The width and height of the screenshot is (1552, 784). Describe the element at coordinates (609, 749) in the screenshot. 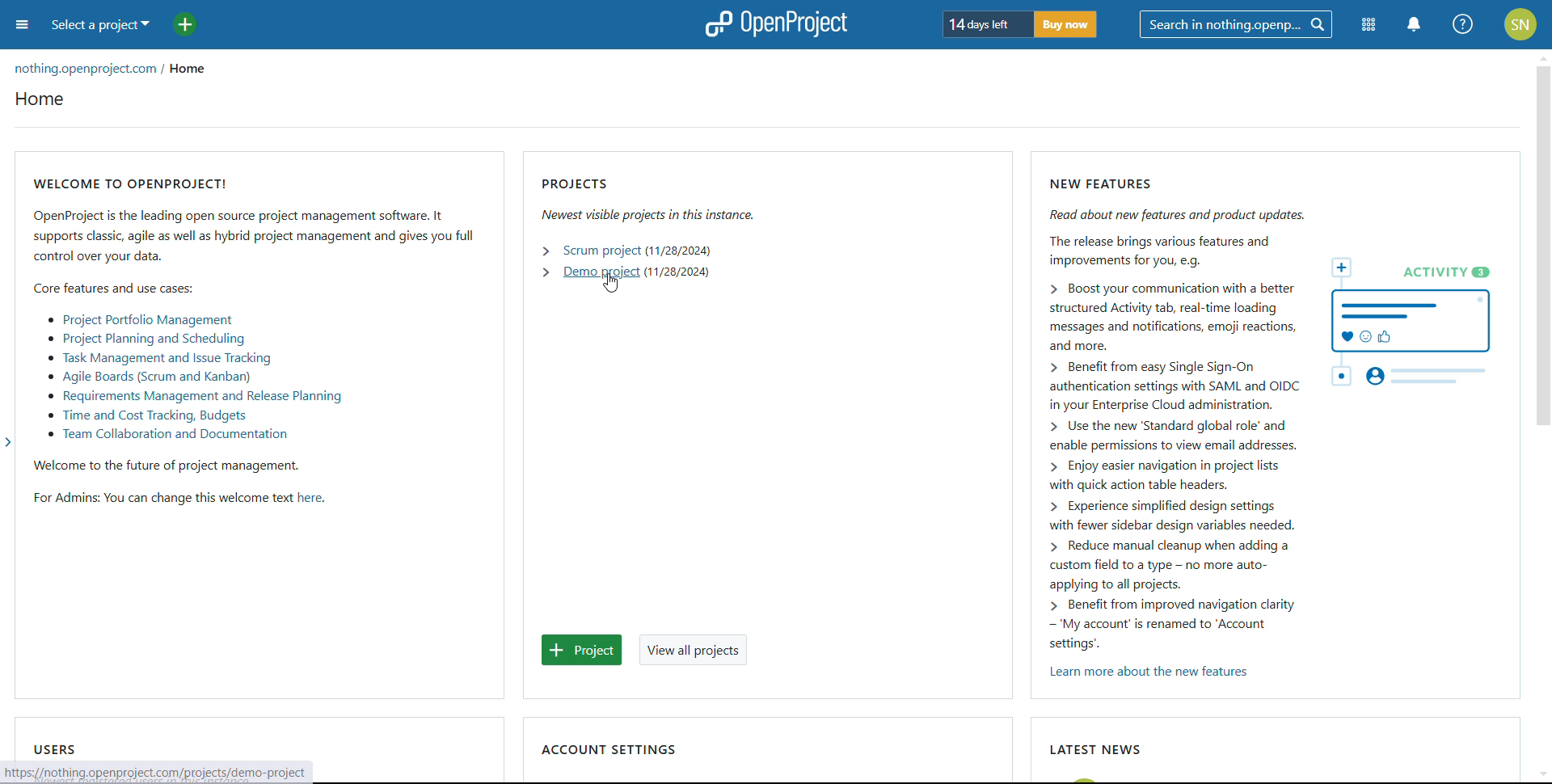

I see `account settings` at that location.